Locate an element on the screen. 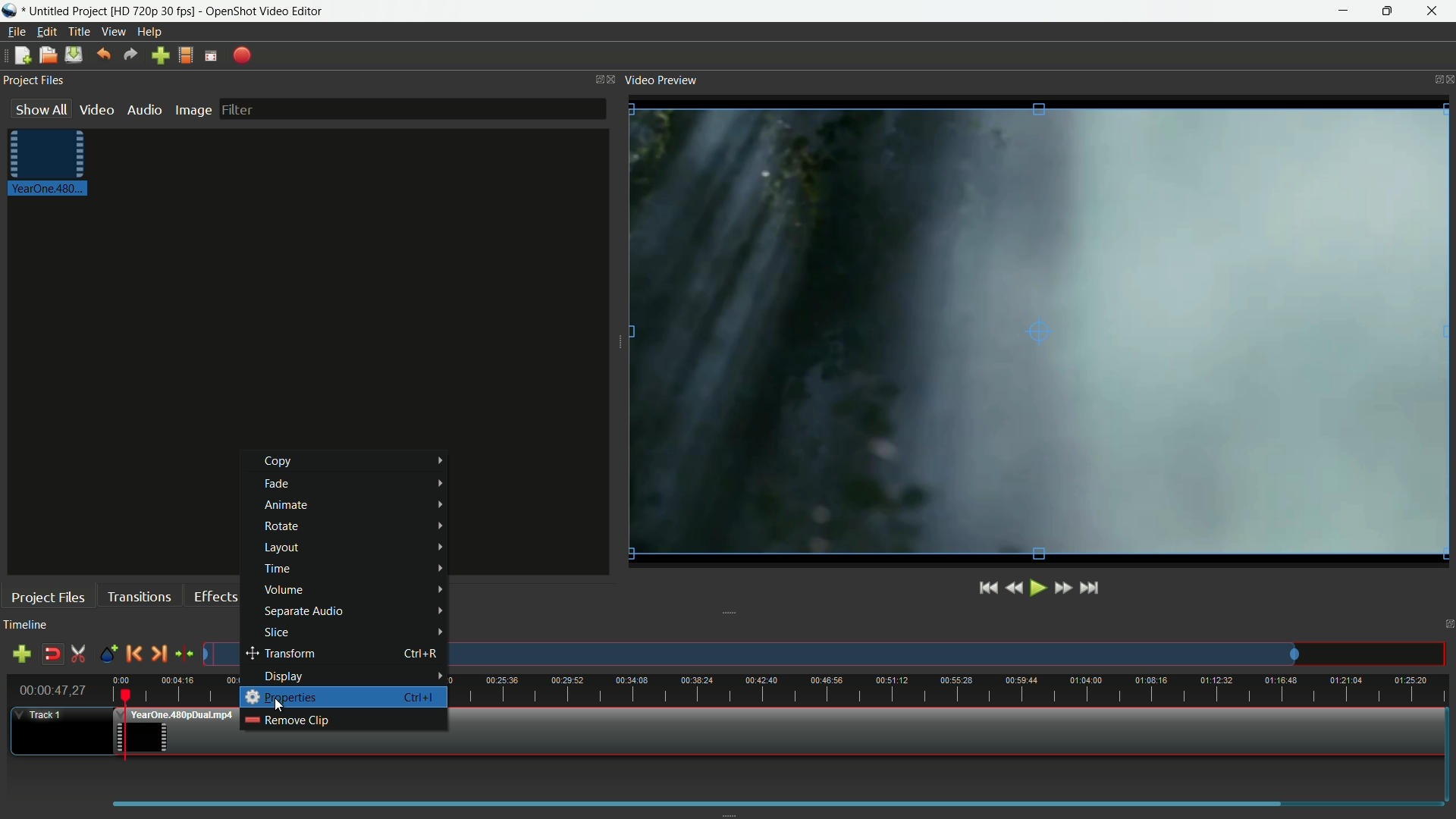 This screenshot has width=1456, height=819. close app is located at coordinates (1434, 11).